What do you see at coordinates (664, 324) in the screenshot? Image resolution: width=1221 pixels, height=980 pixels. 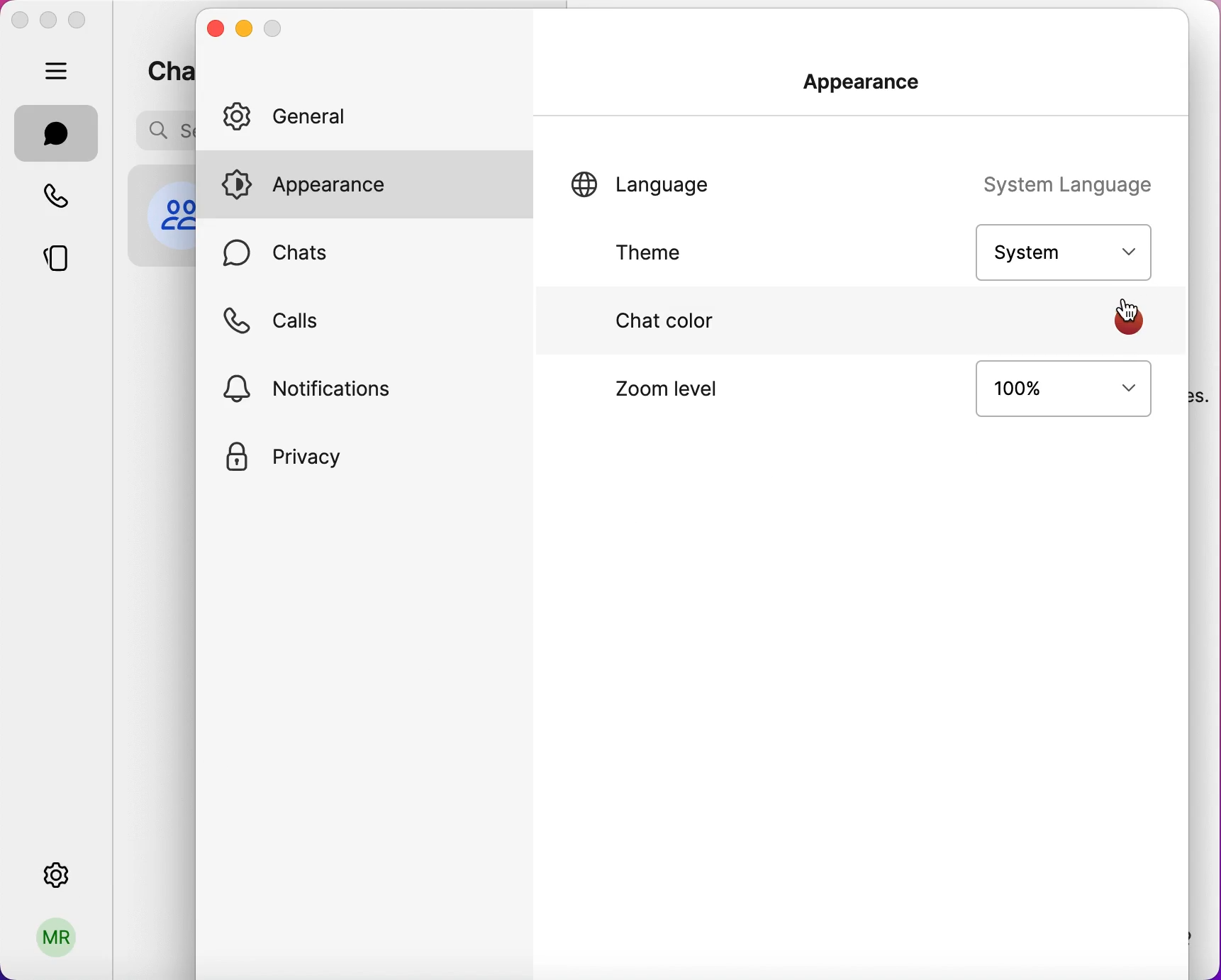 I see `chat color` at bounding box center [664, 324].